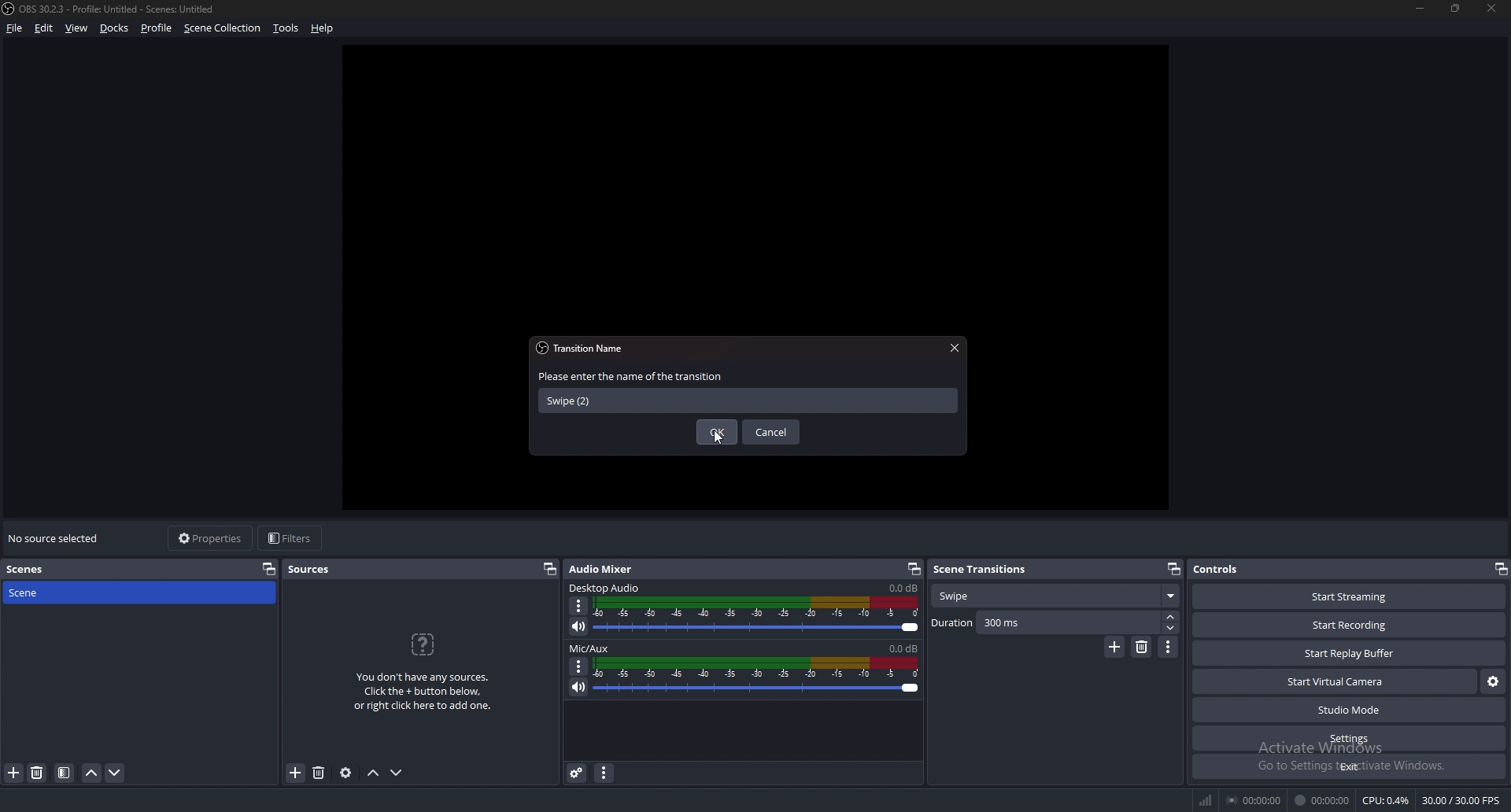 The image size is (1511, 812). What do you see at coordinates (1352, 738) in the screenshot?
I see `settings` at bounding box center [1352, 738].